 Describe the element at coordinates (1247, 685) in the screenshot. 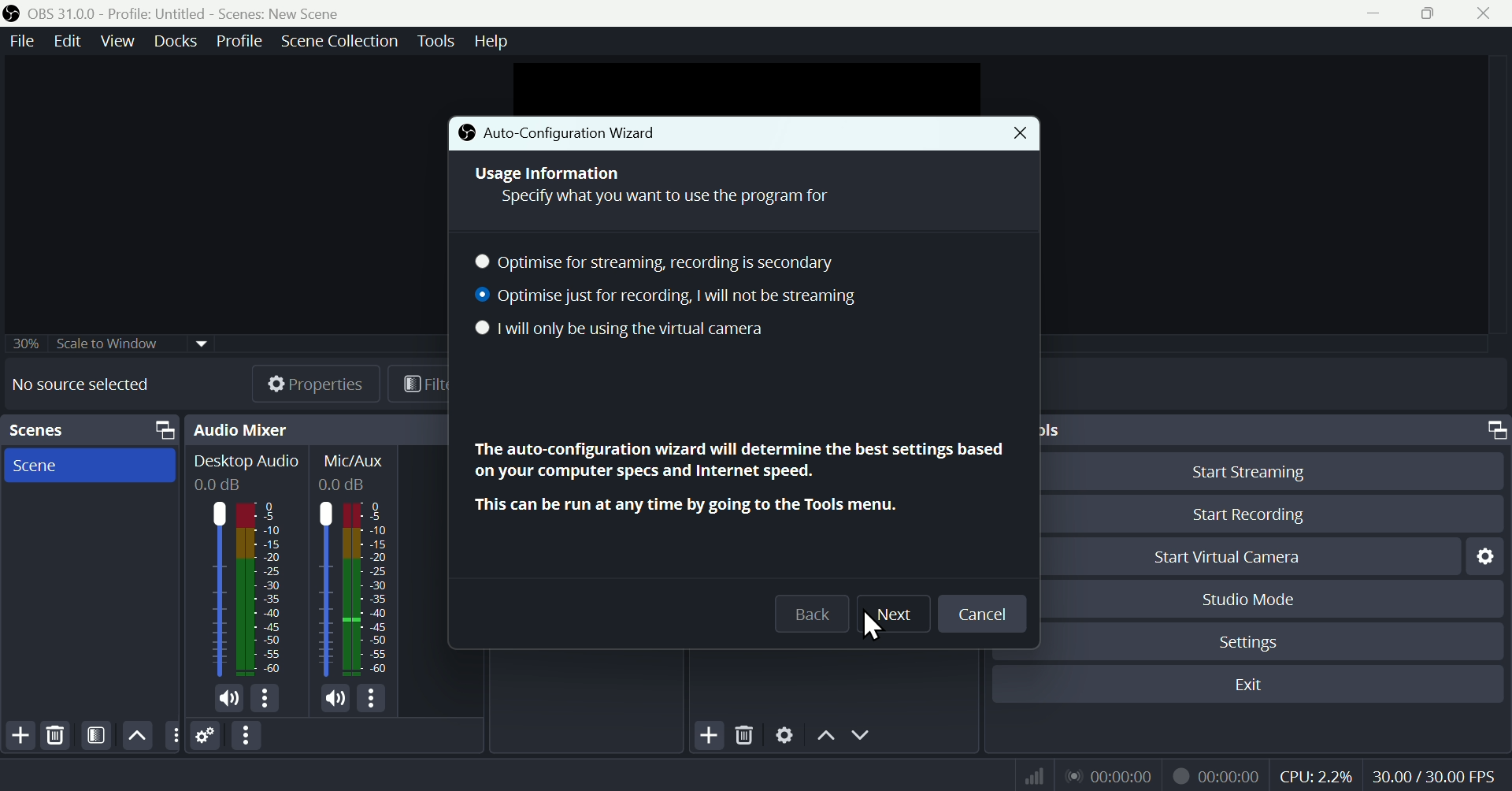

I see `Exit` at that location.